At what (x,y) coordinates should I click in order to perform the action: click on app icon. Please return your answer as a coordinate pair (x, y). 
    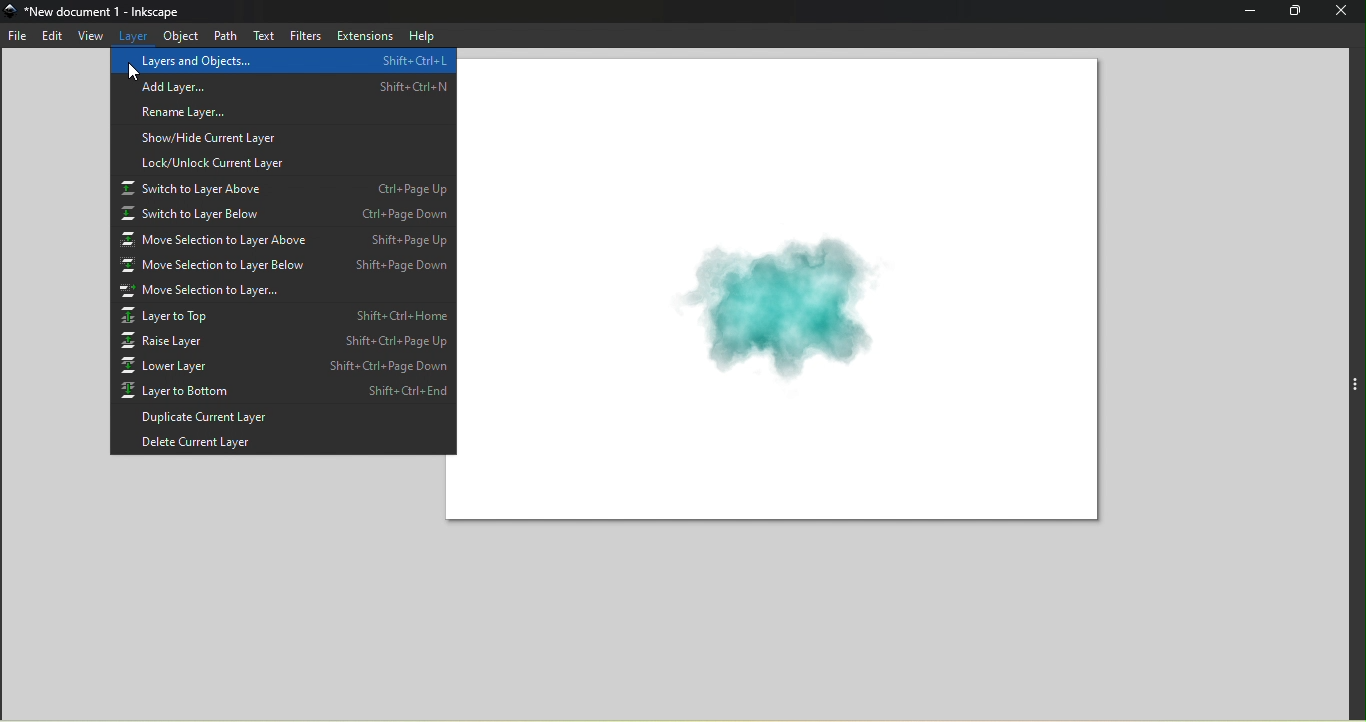
    Looking at the image, I should click on (12, 11).